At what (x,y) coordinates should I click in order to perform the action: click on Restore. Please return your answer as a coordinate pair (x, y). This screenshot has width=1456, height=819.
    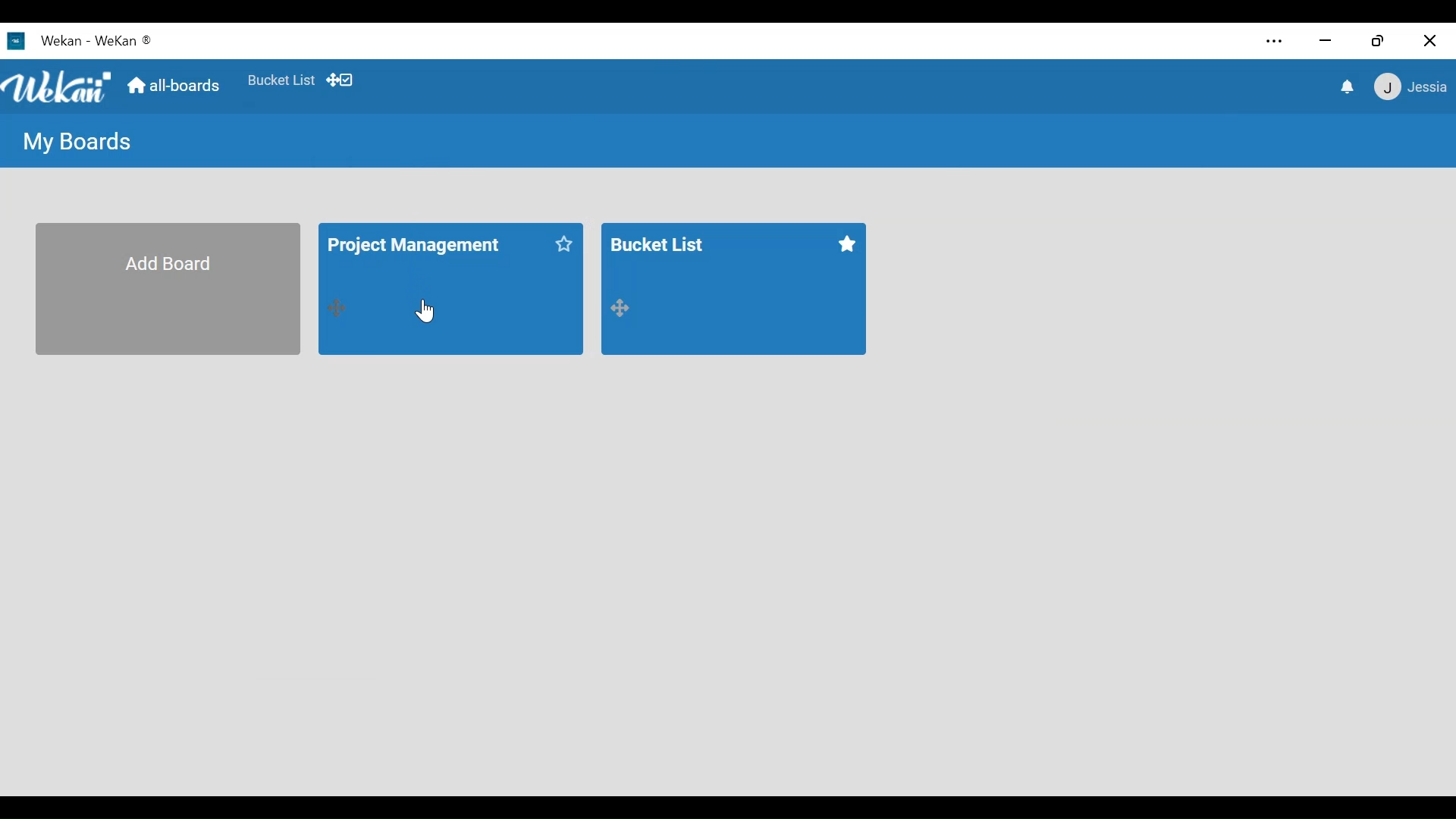
    Looking at the image, I should click on (1380, 39).